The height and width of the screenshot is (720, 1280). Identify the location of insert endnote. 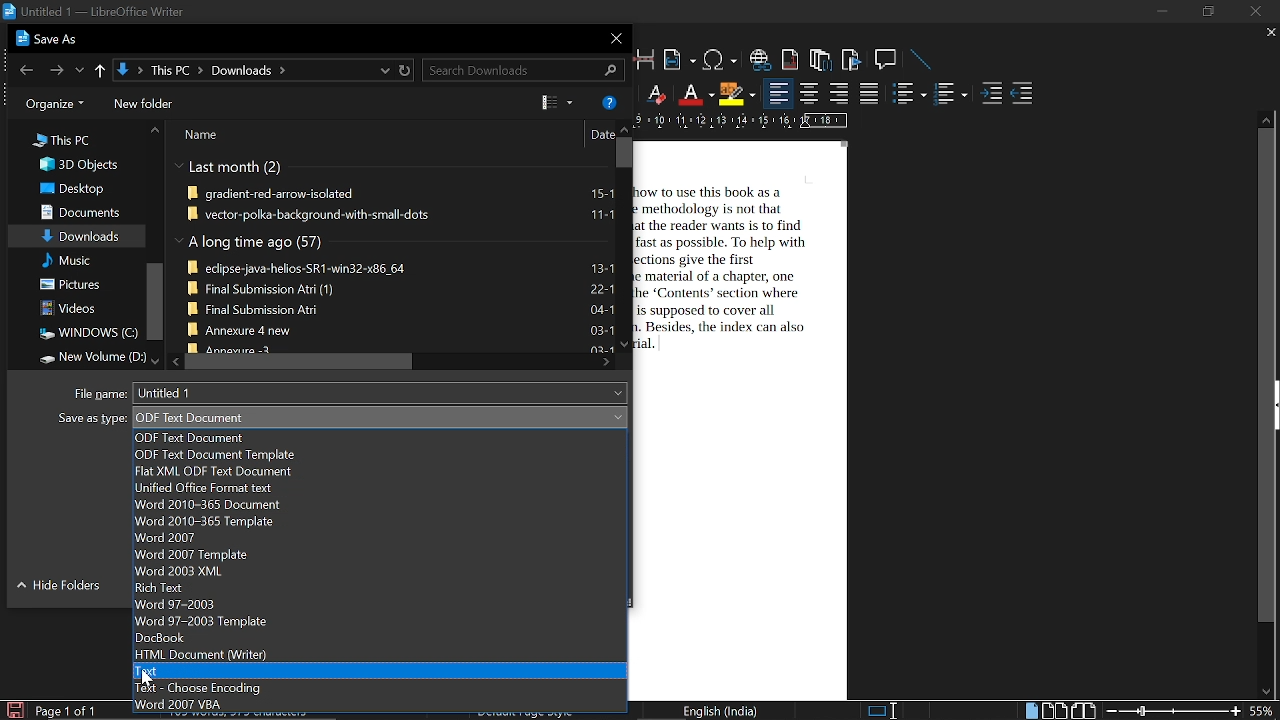
(820, 58).